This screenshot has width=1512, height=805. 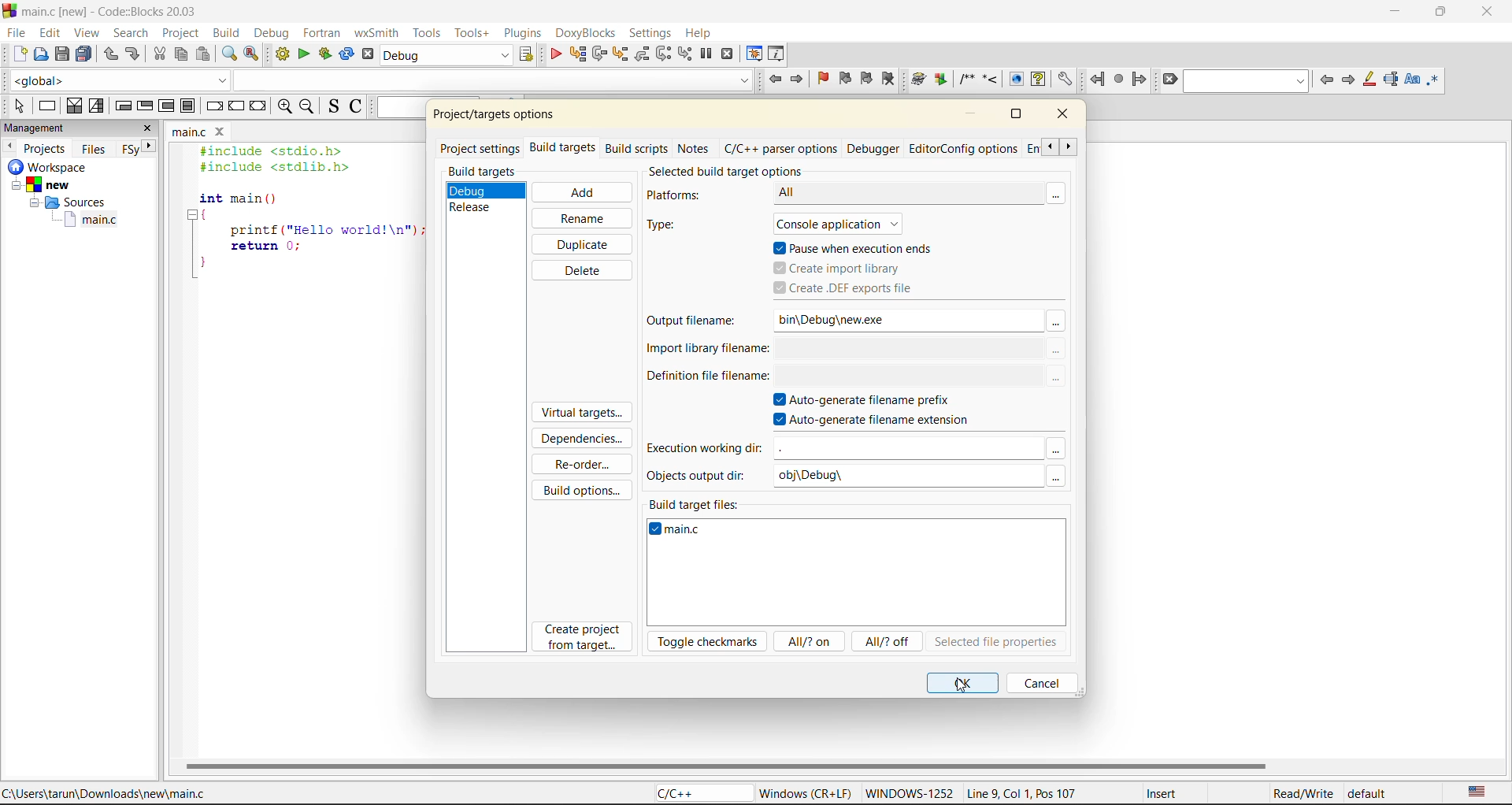 I want to click on scroll front, so click(x=1069, y=149).